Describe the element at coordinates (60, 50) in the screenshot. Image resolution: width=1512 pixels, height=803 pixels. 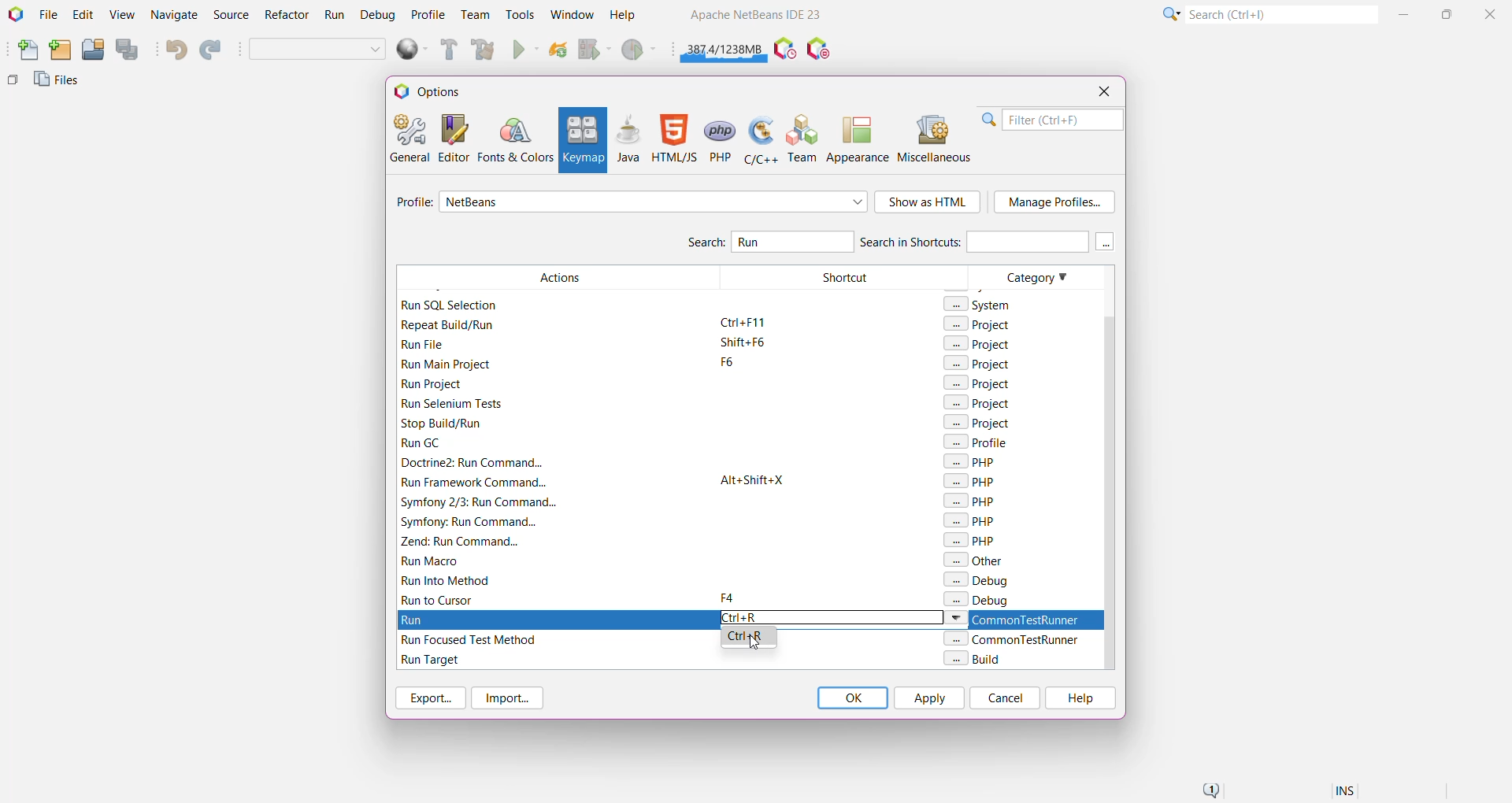
I see `New Project` at that location.